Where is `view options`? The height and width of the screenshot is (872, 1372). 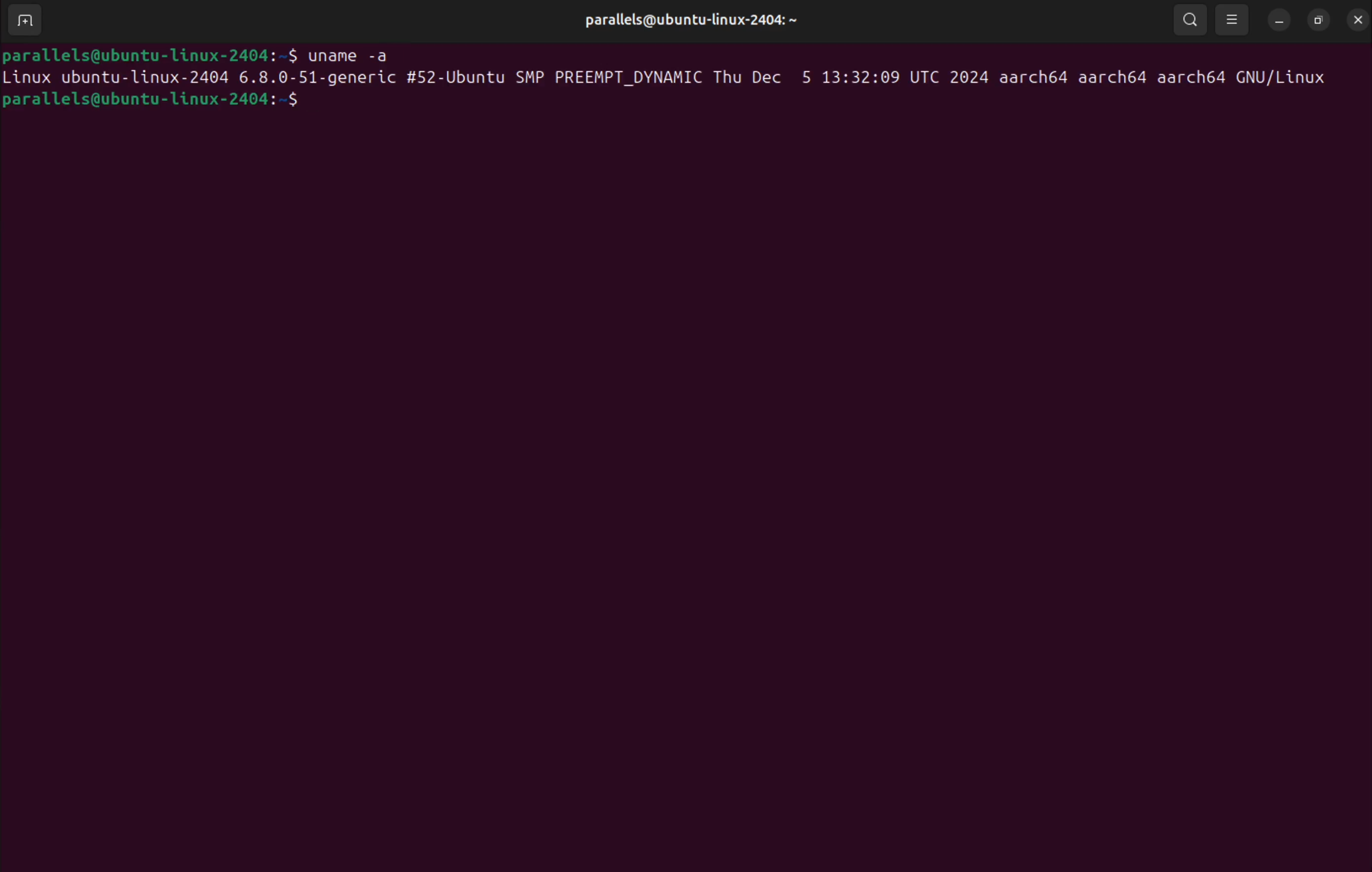 view options is located at coordinates (1234, 19).